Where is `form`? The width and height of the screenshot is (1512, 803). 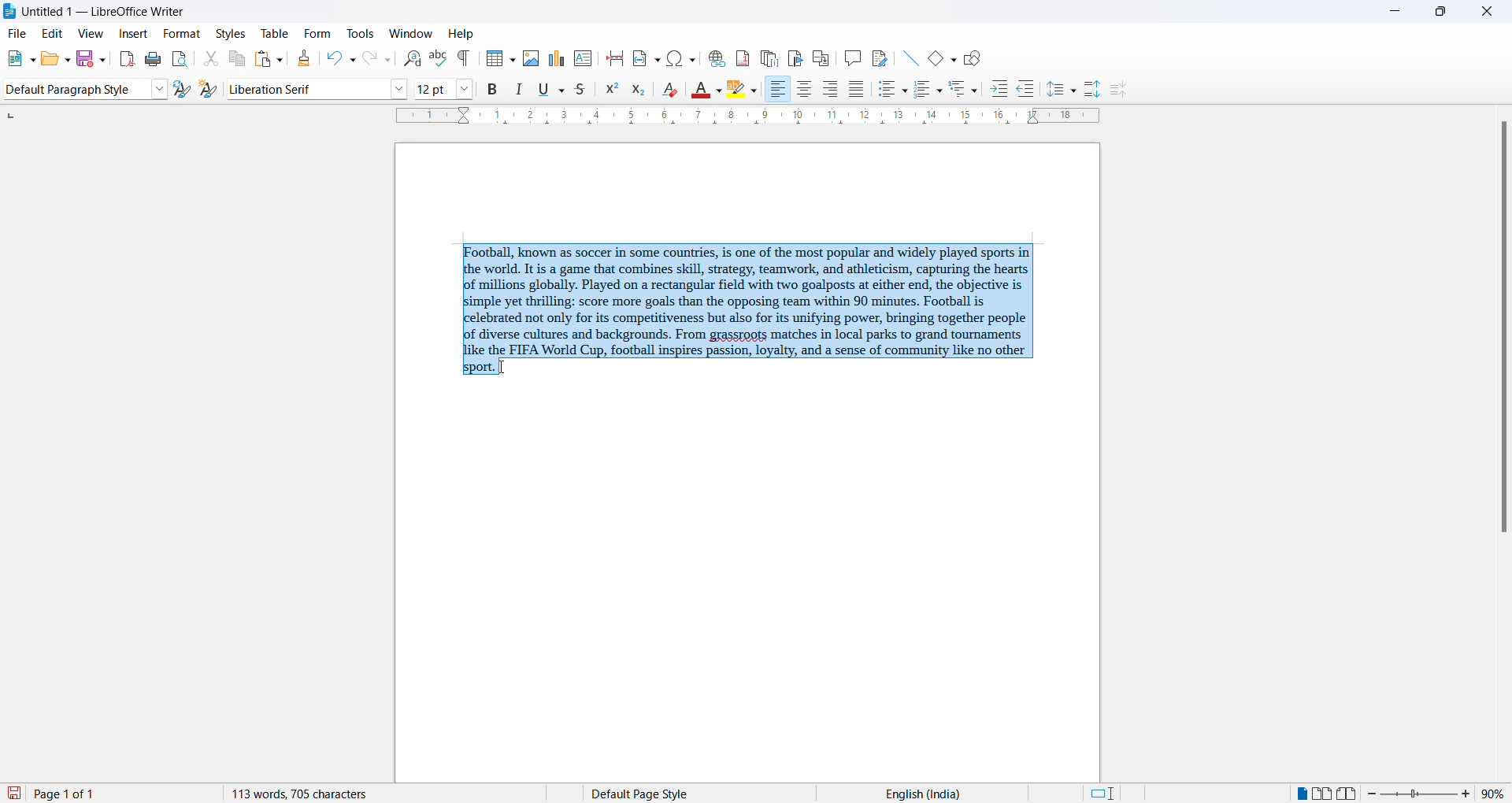 form is located at coordinates (315, 33).